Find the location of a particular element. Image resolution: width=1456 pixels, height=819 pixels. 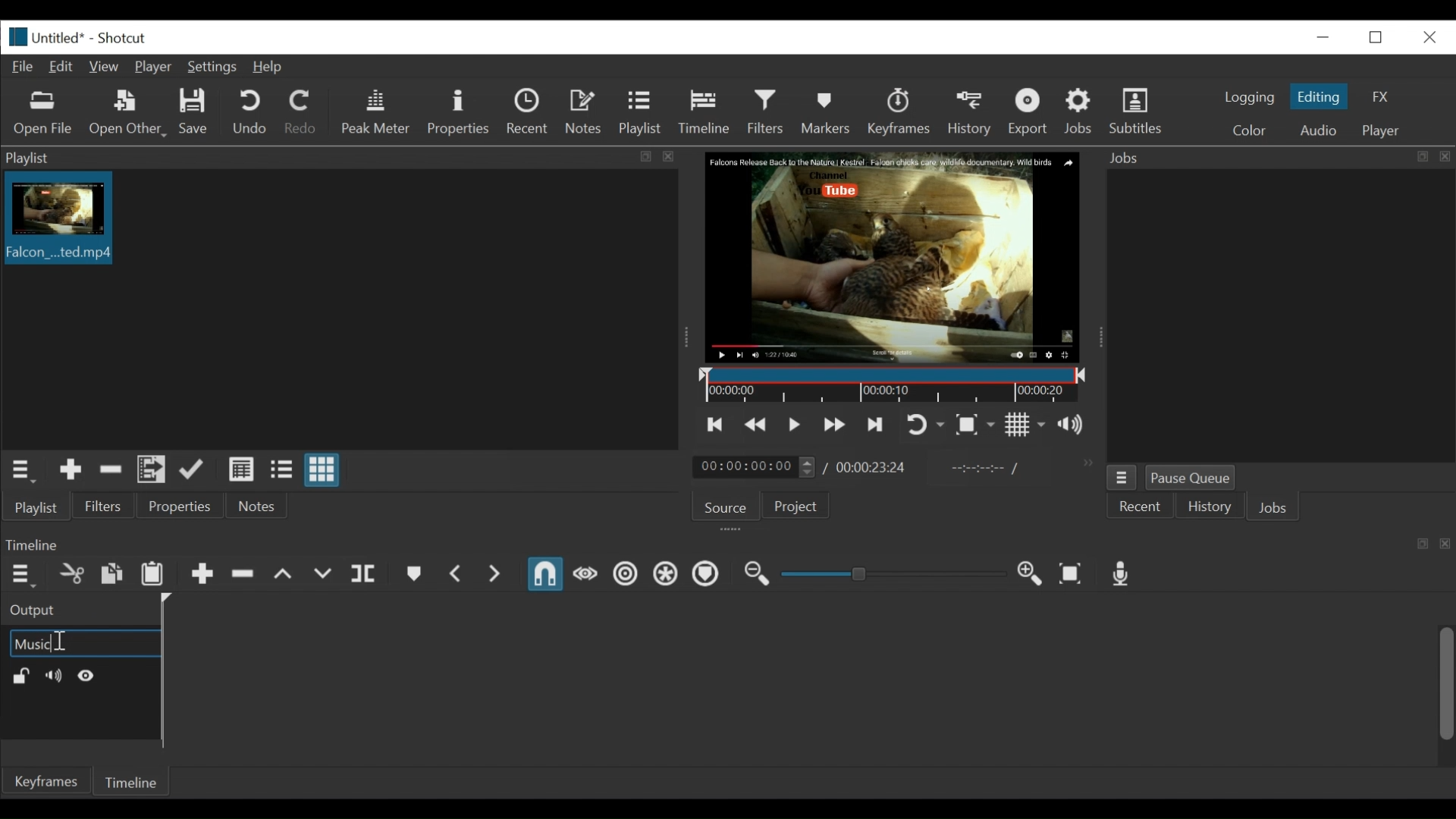

Editing is located at coordinates (1317, 96).